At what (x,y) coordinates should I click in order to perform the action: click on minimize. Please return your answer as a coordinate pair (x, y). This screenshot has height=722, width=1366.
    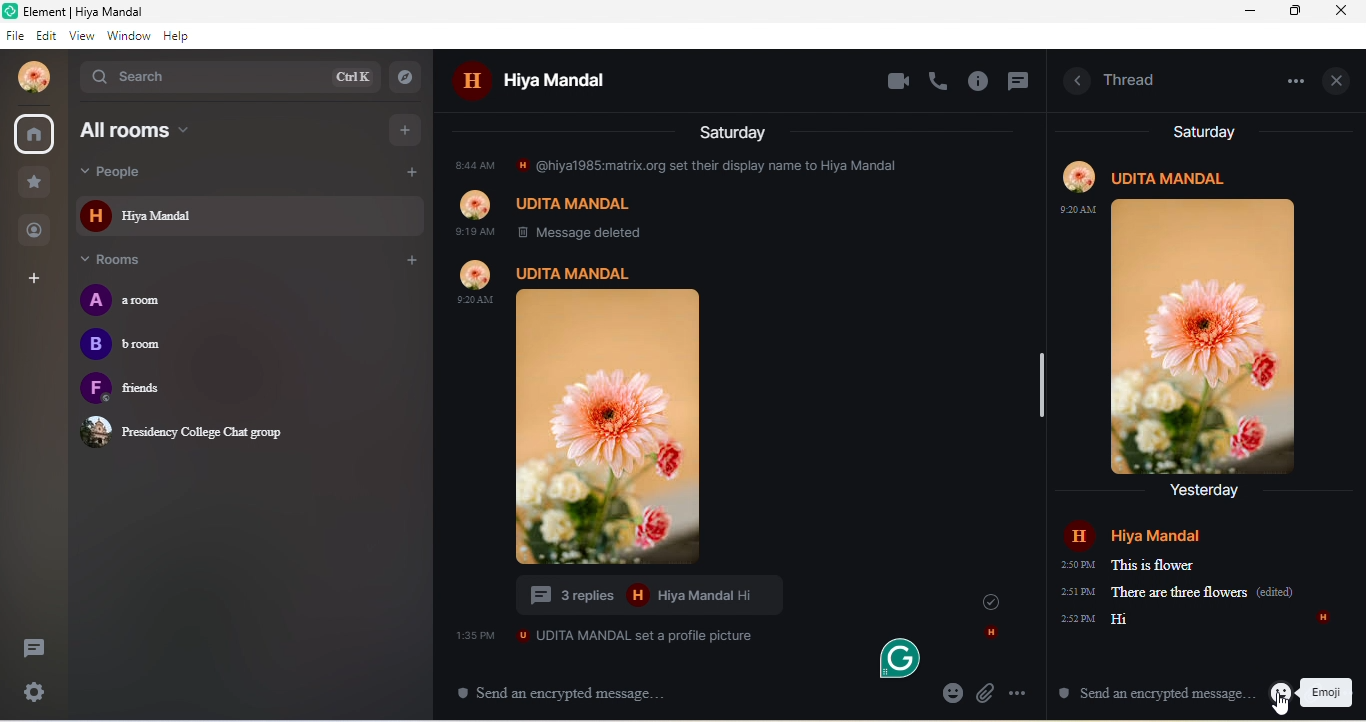
    Looking at the image, I should click on (1250, 11).